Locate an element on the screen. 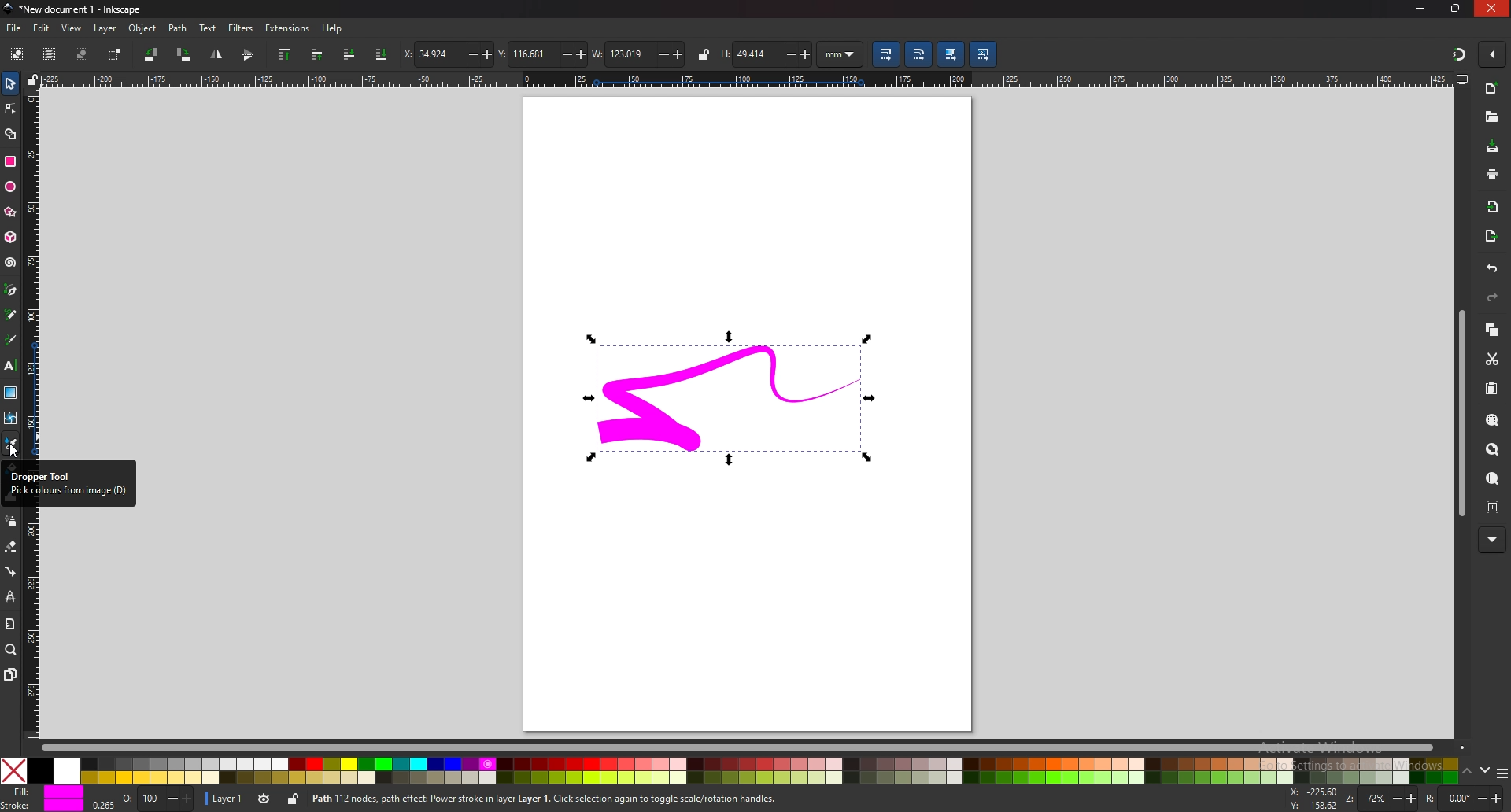  select all in all layers is located at coordinates (50, 54).